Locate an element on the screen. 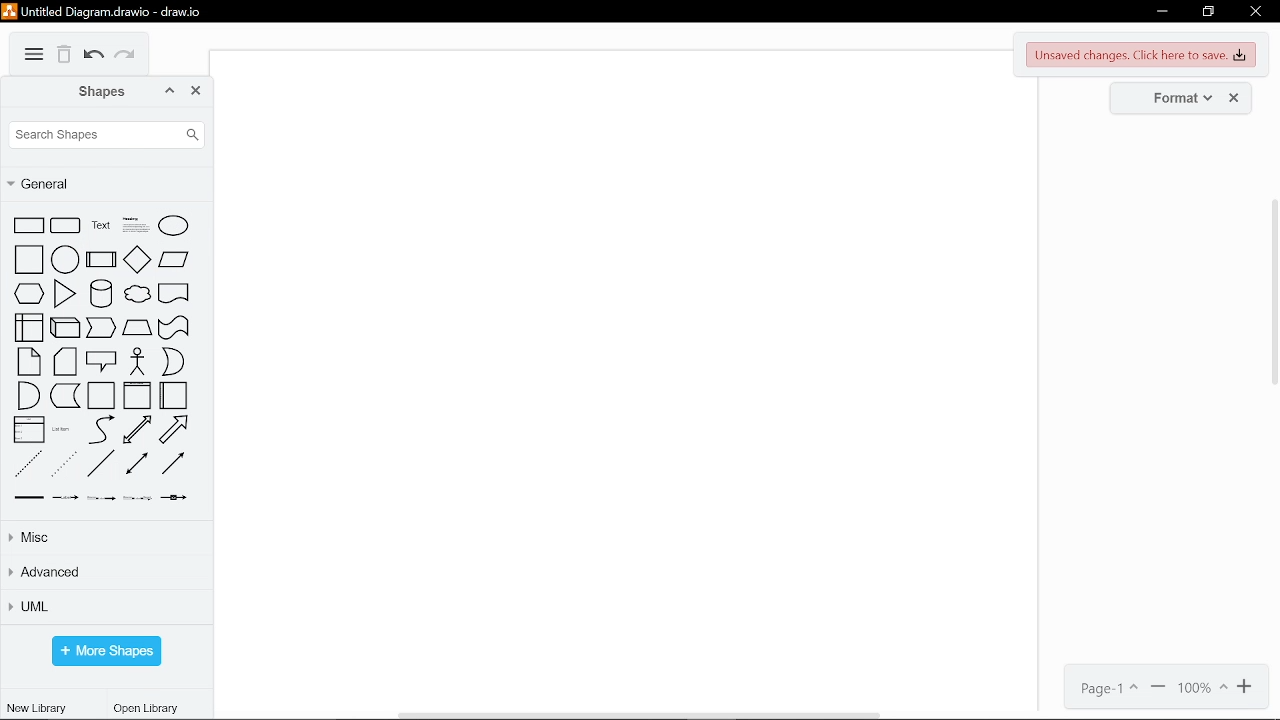 This screenshot has width=1280, height=720. new library is located at coordinates (36, 707).